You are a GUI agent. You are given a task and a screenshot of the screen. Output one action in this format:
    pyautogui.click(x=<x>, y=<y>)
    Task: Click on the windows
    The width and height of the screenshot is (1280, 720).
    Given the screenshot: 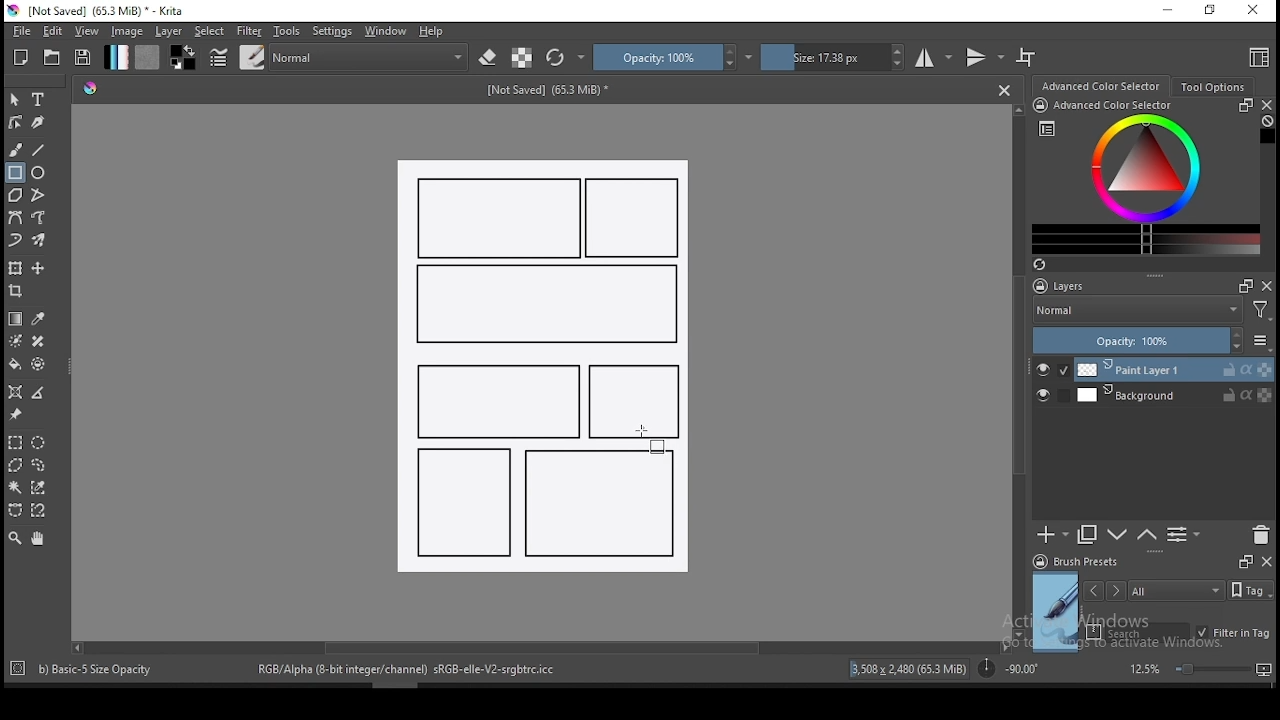 What is the action you would take?
    pyautogui.click(x=386, y=31)
    